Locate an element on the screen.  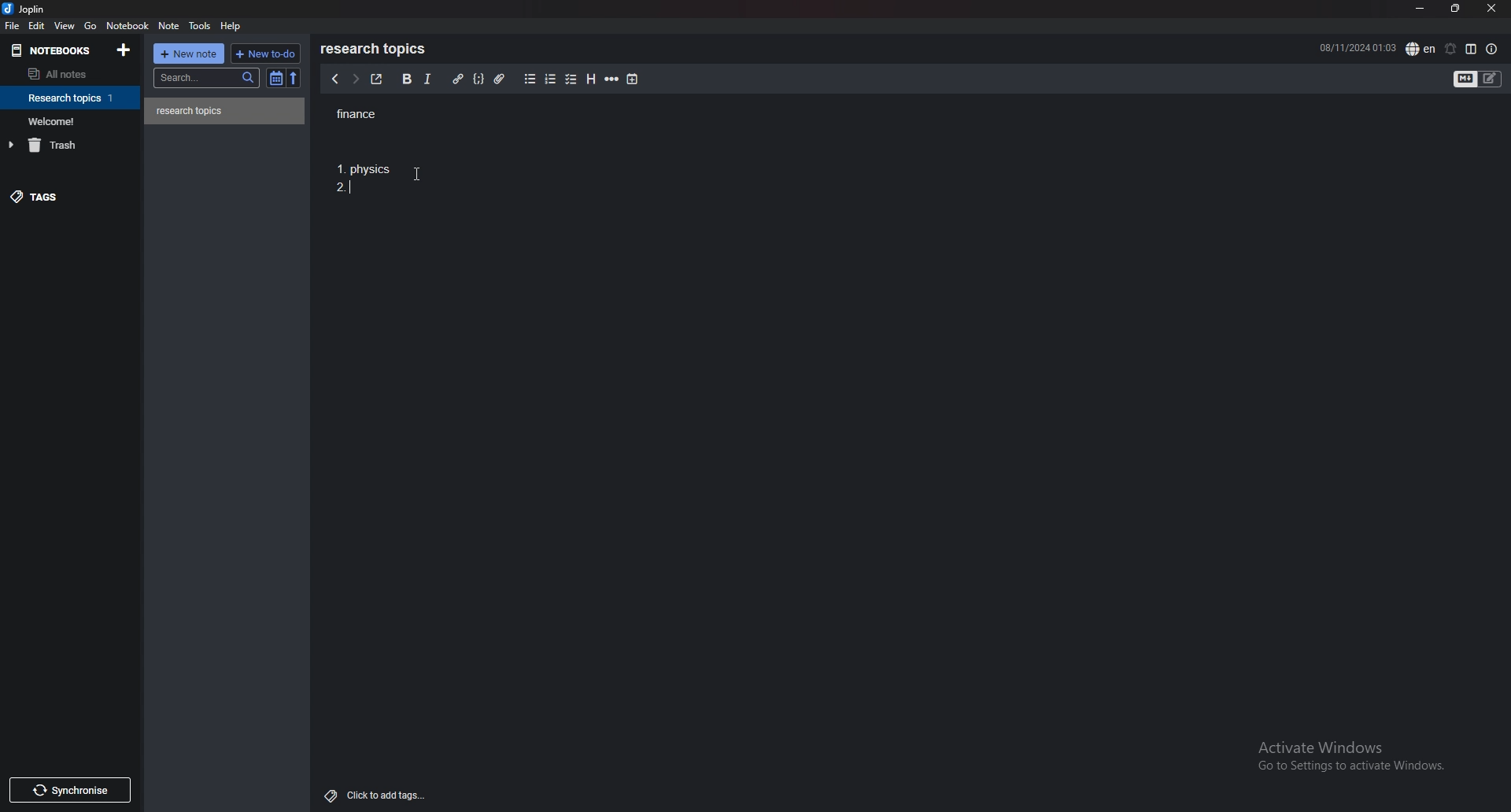
heading is located at coordinates (590, 79).